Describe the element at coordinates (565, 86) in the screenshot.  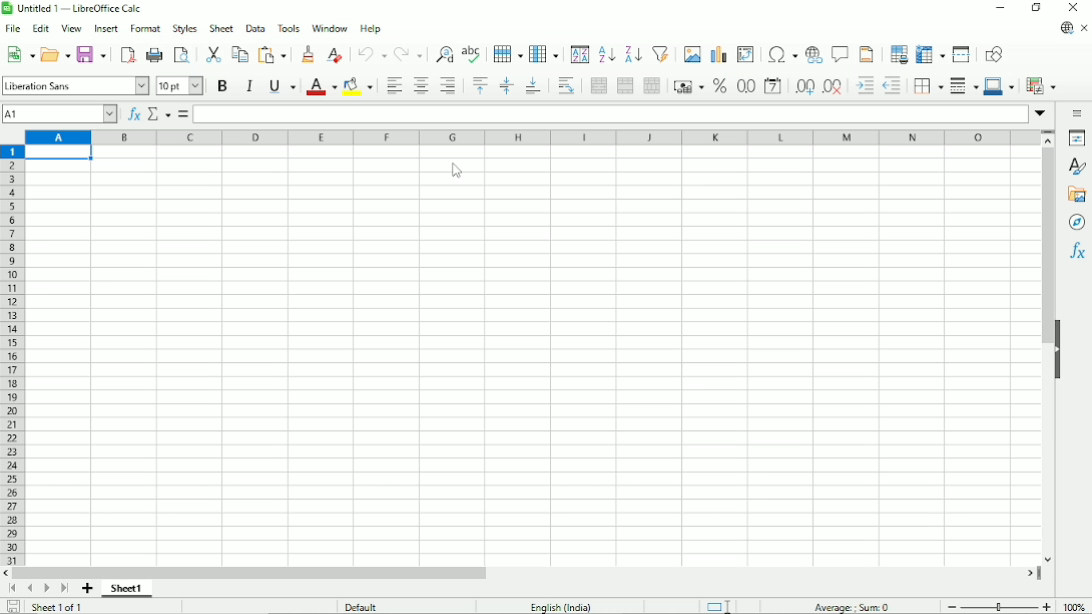
I see `Wrap text` at that location.